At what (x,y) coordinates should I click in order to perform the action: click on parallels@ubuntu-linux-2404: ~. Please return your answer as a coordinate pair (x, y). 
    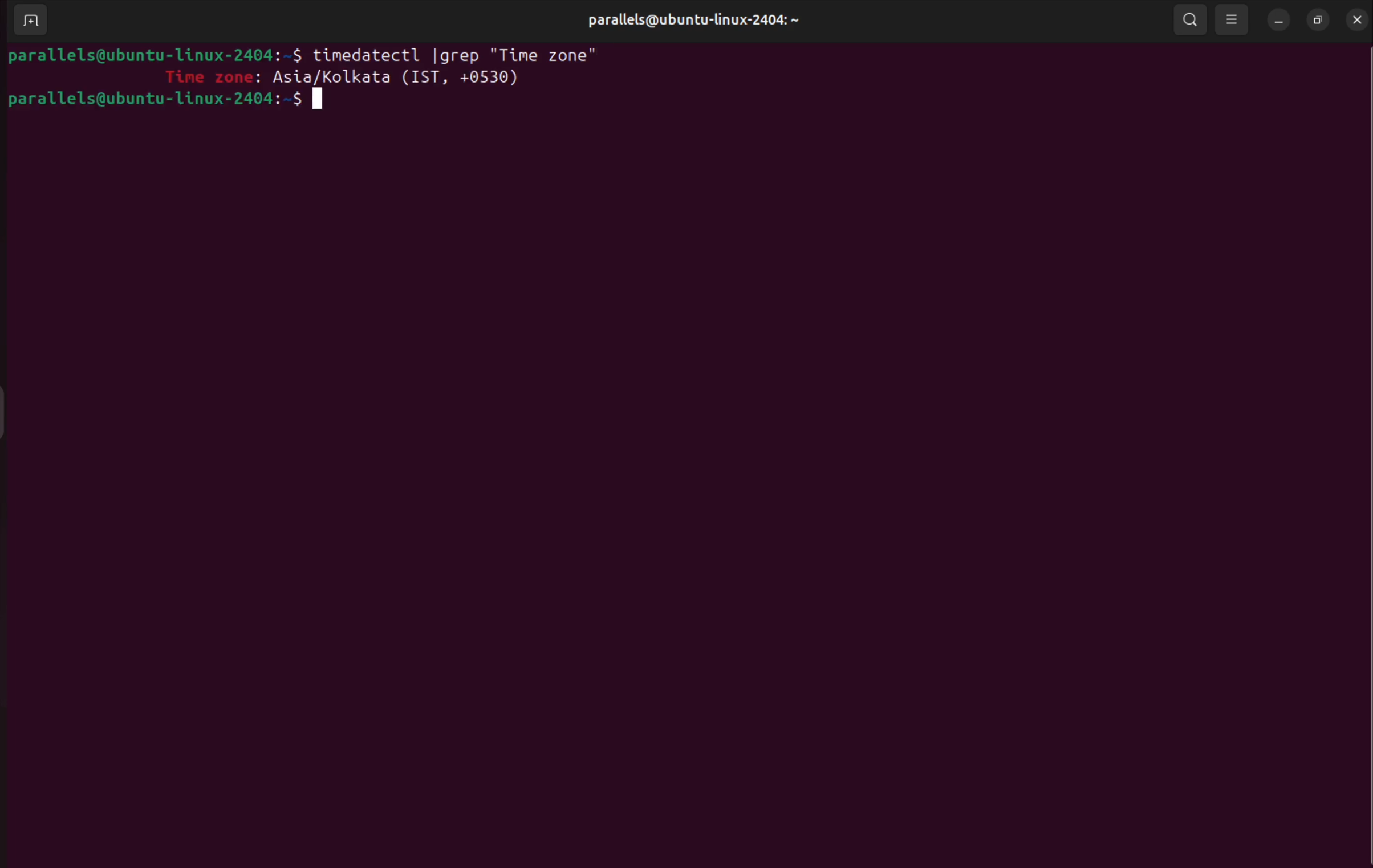
    Looking at the image, I should click on (693, 20).